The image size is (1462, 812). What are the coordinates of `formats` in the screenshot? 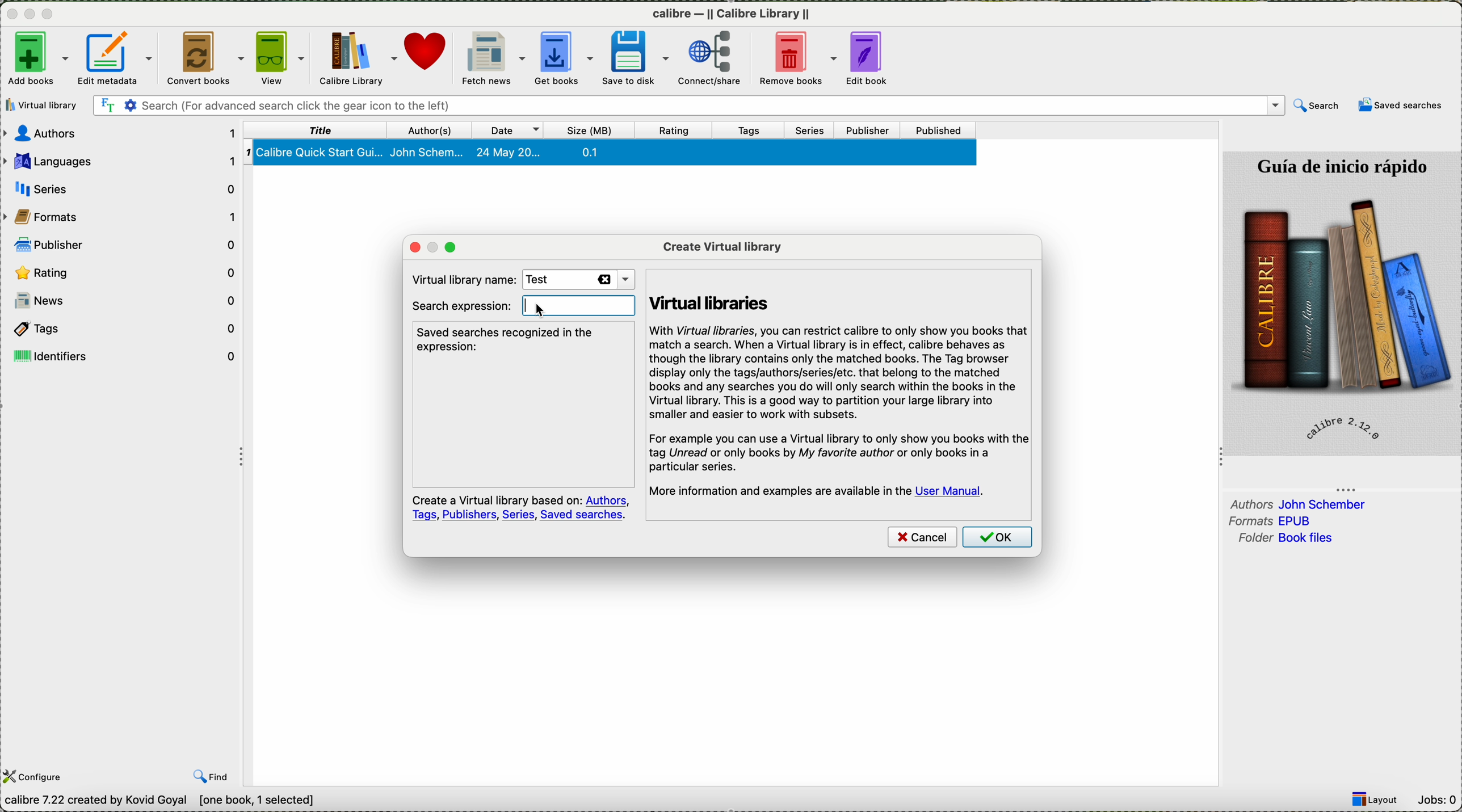 It's located at (1275, 521).